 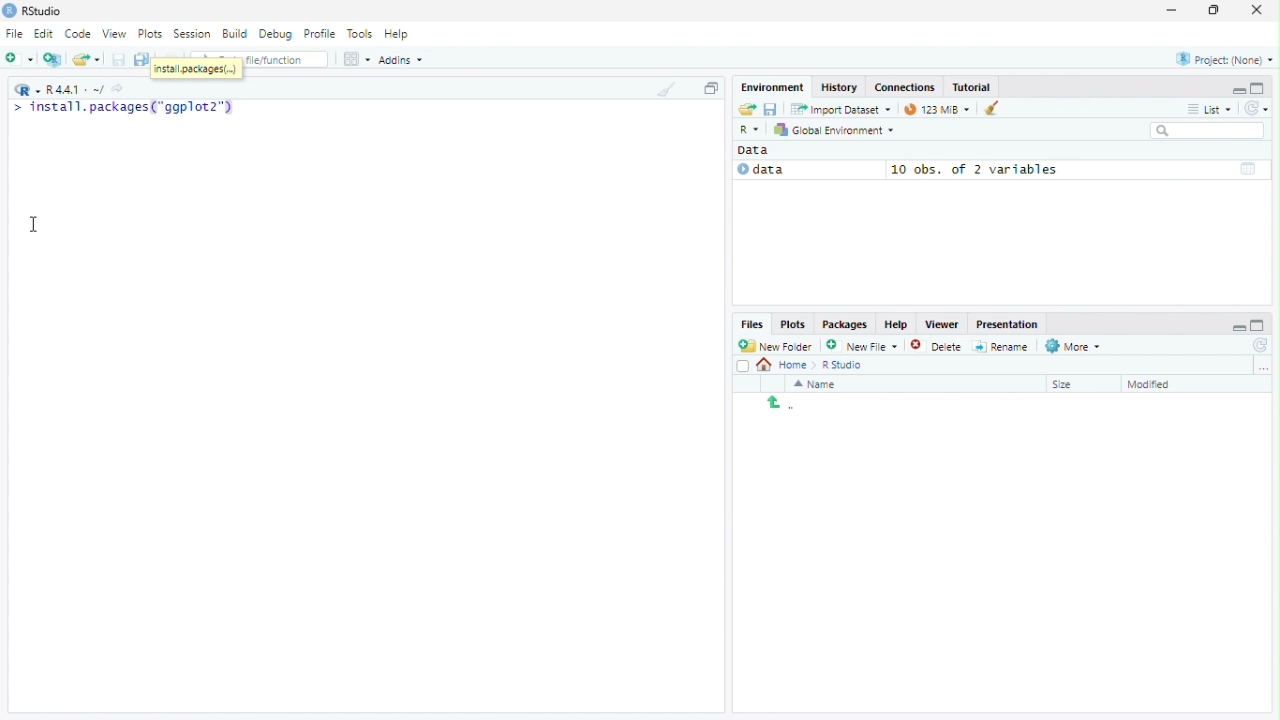 I want to click on Files, so click(x=753, y=325).